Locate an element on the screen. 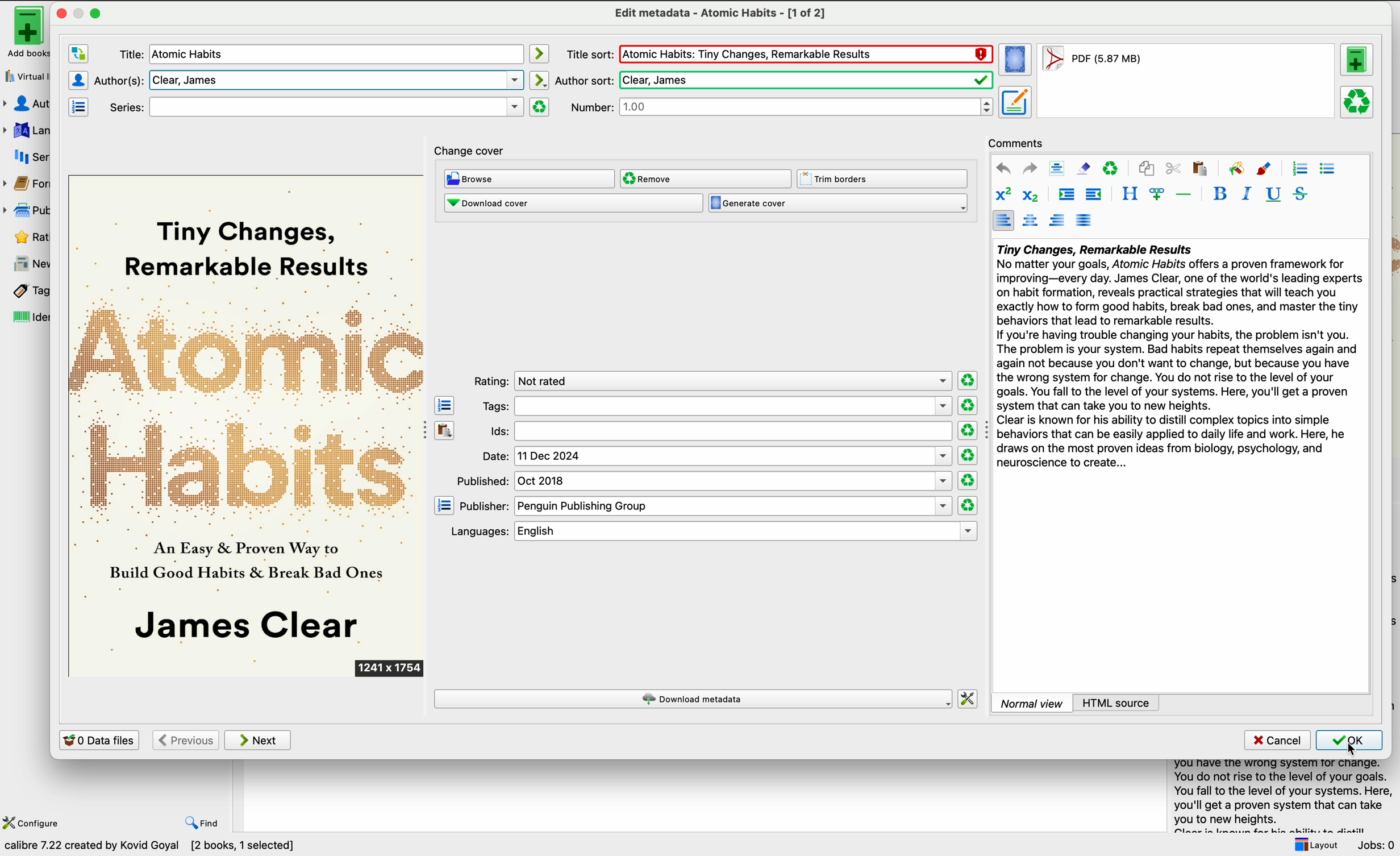 The height and width of the screenshot is (856, 1400). clear rating is located at coordinates (966, 430).